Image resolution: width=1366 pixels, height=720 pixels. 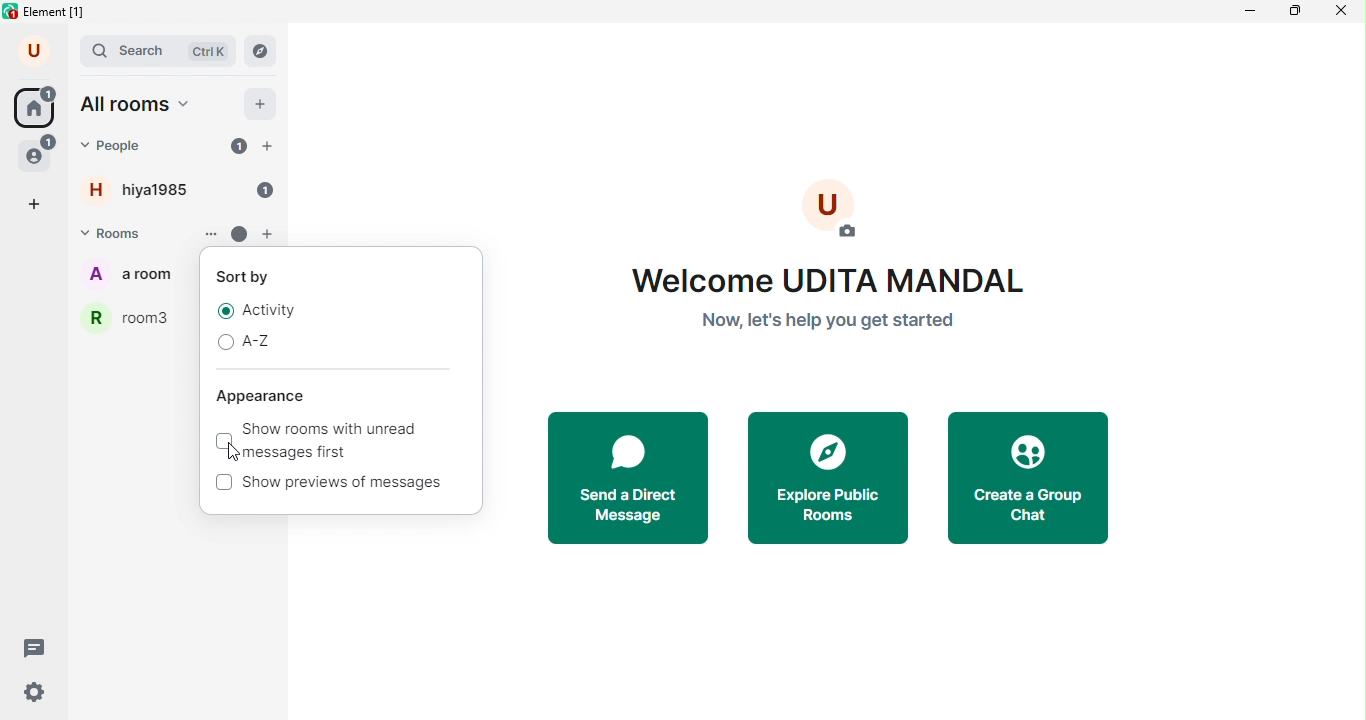 I want to click on add photo, so click(x=837, y=213).